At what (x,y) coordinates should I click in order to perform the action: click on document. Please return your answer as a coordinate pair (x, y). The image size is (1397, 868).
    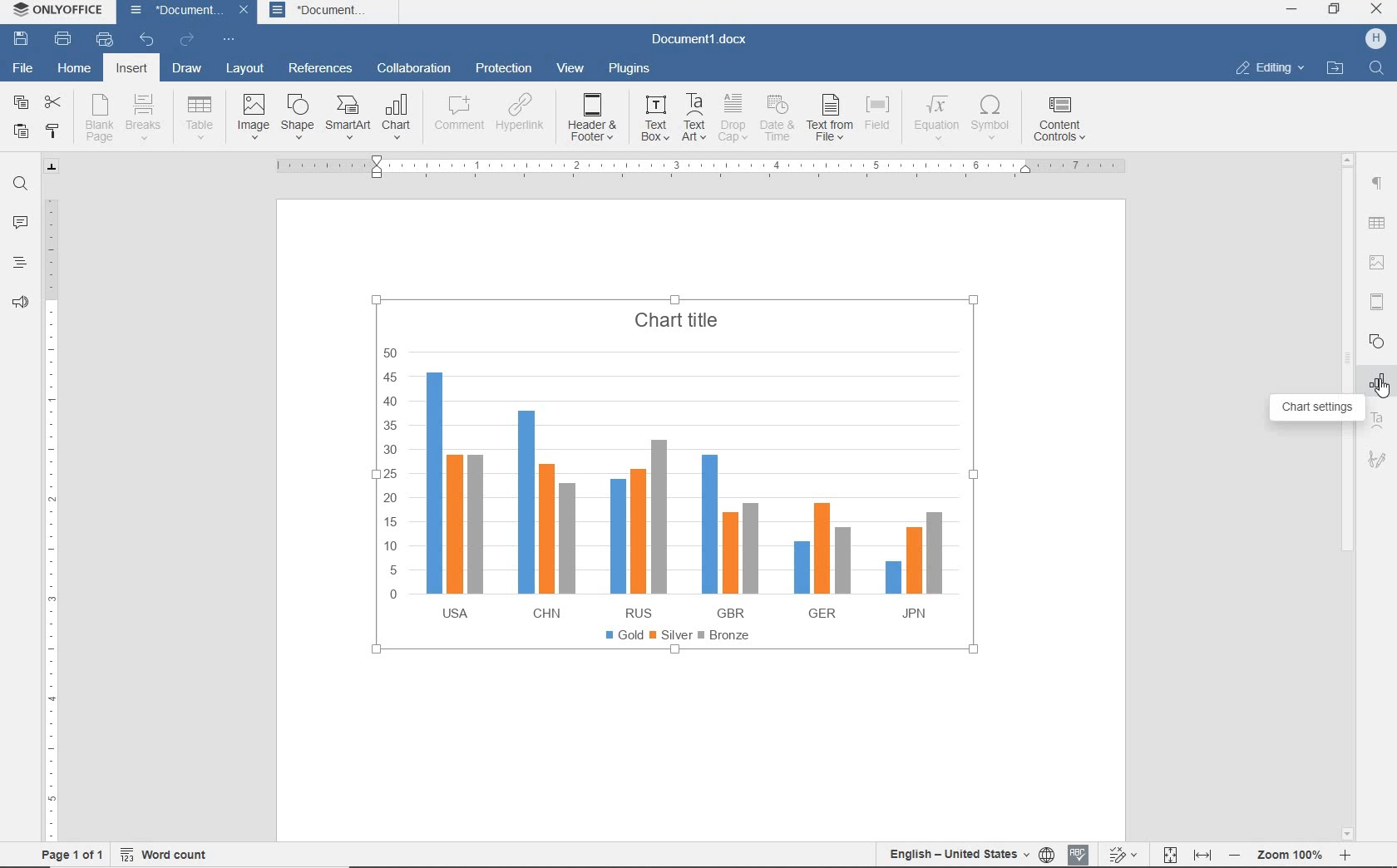
    Looking at the image, I should click on (332, 12).